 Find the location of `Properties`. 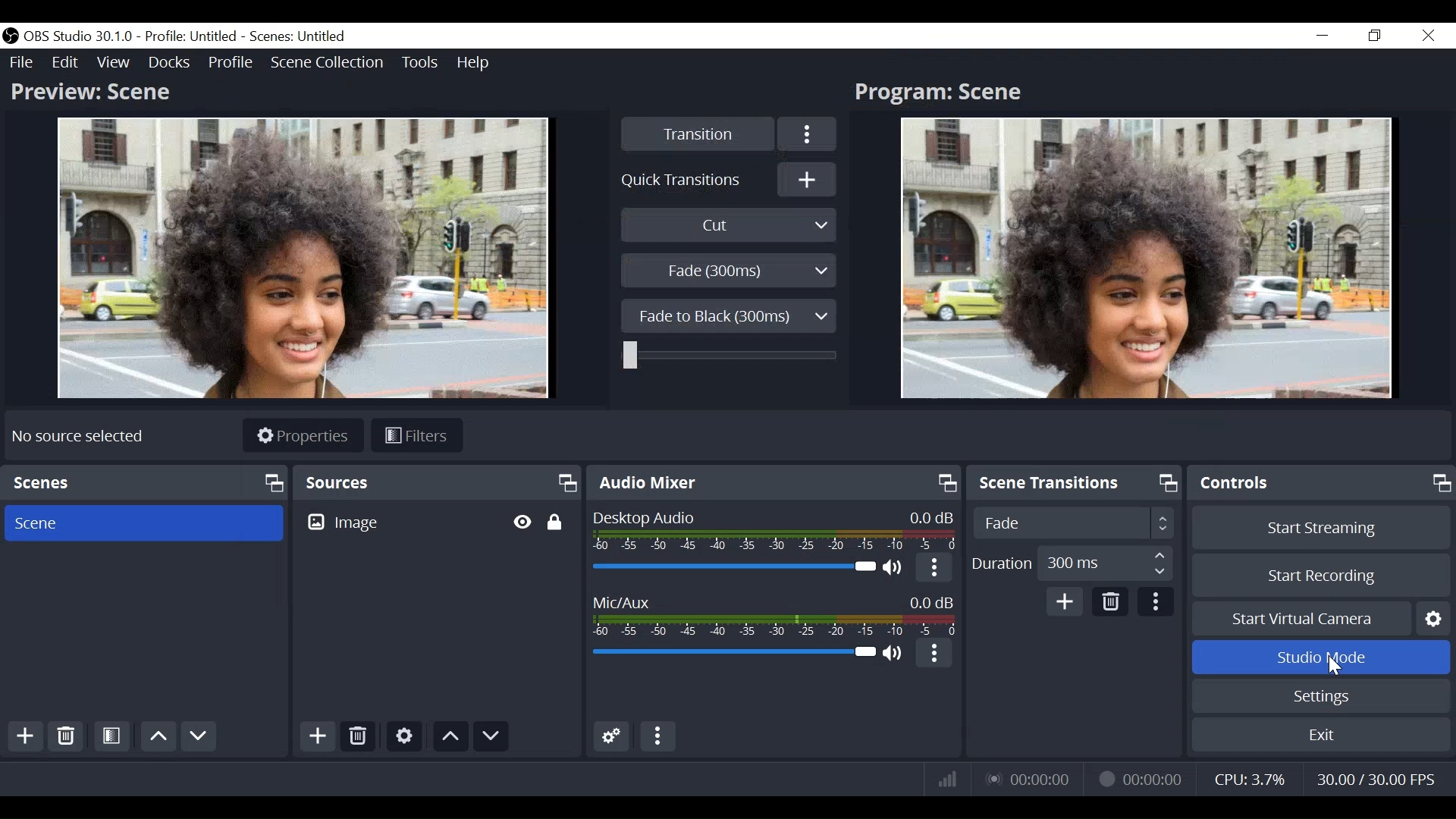

Properties is located at coordinates (303, 436).